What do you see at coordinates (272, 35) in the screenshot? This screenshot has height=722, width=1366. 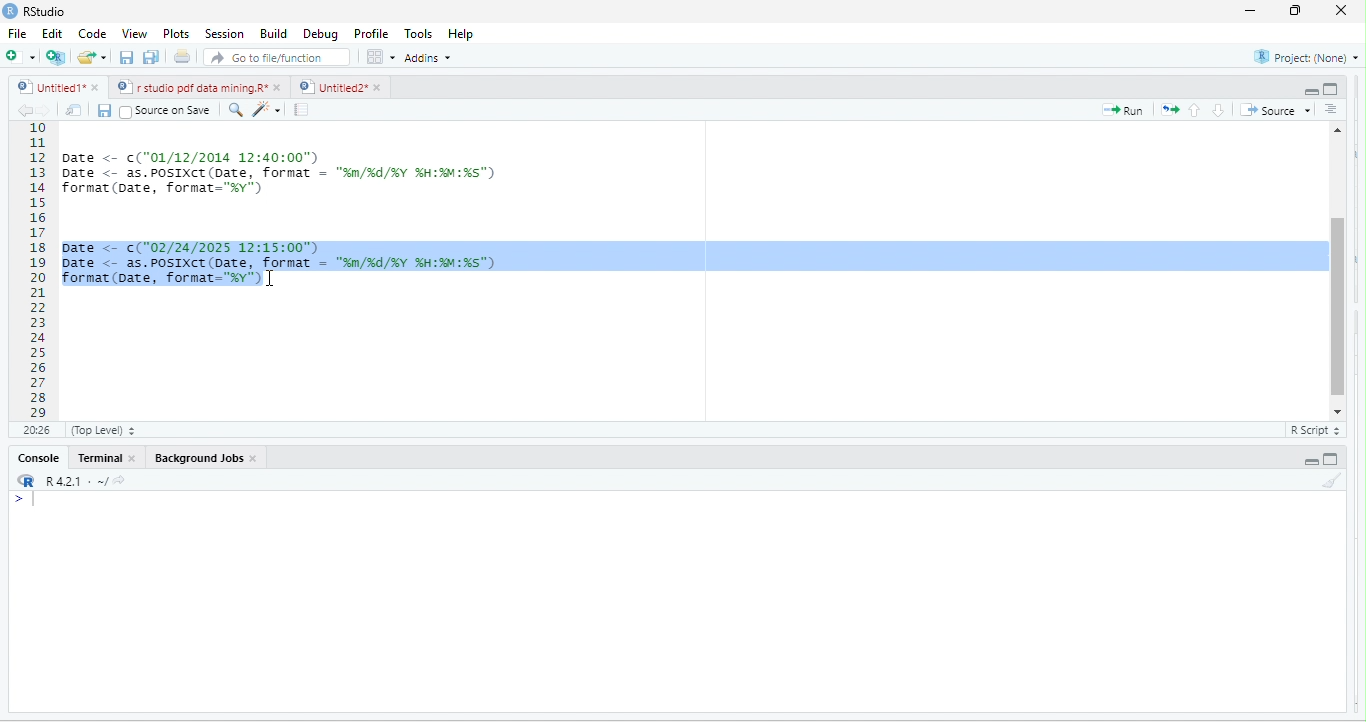 I see `Build` at bounding box center [272, 35].